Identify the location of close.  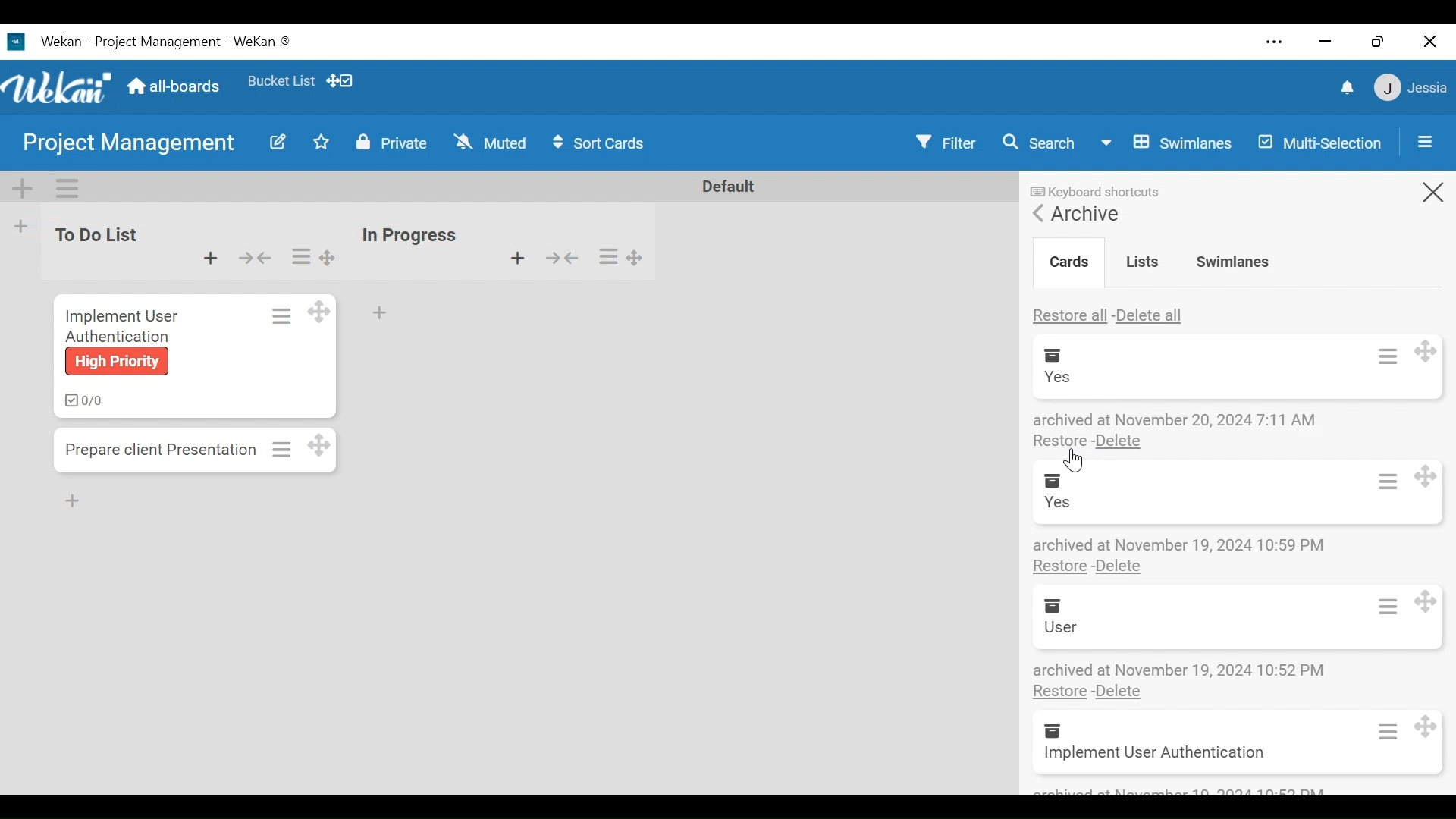
(1424, 195).